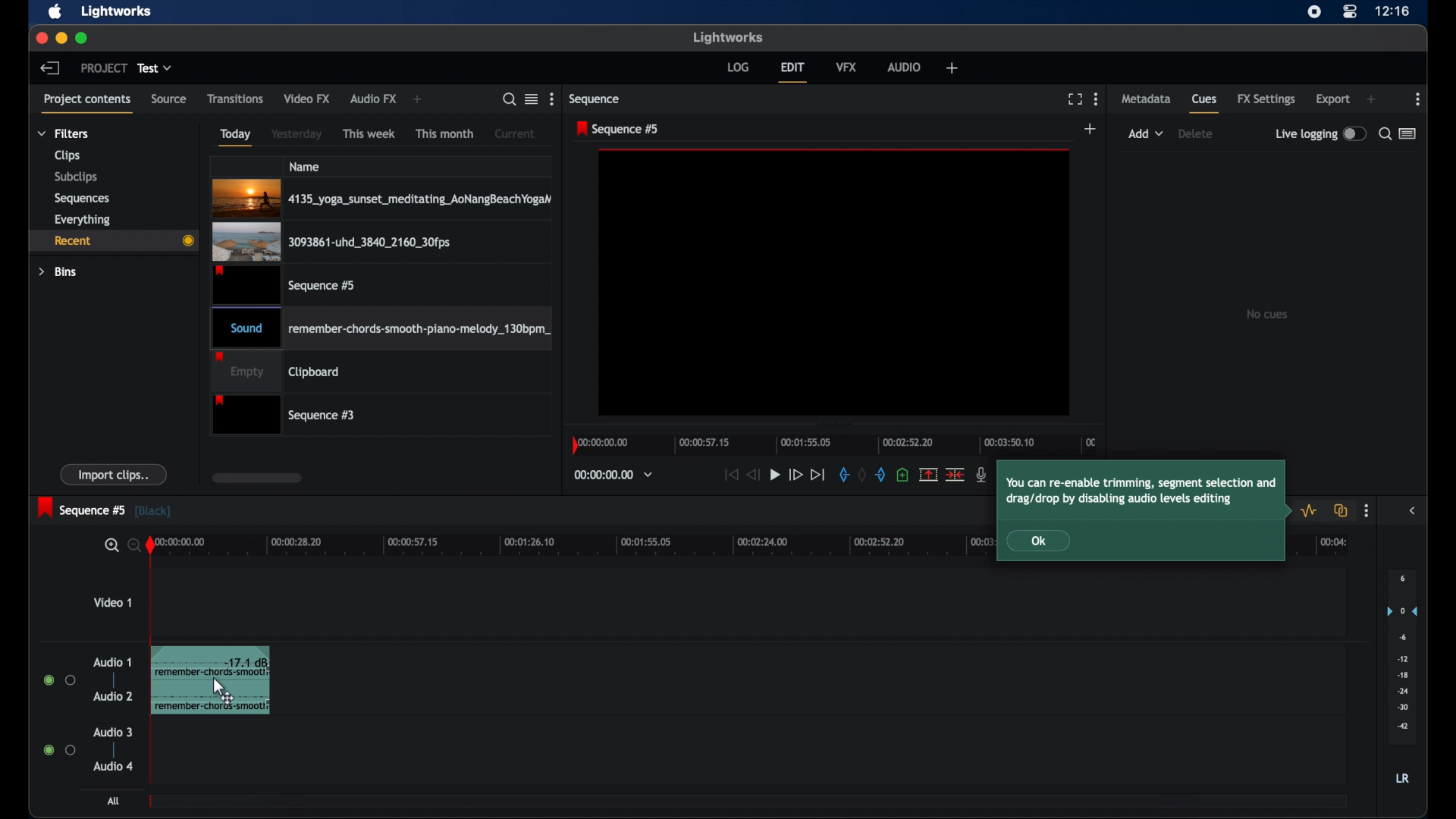  I want to click on audio clip, so click(171, 682).